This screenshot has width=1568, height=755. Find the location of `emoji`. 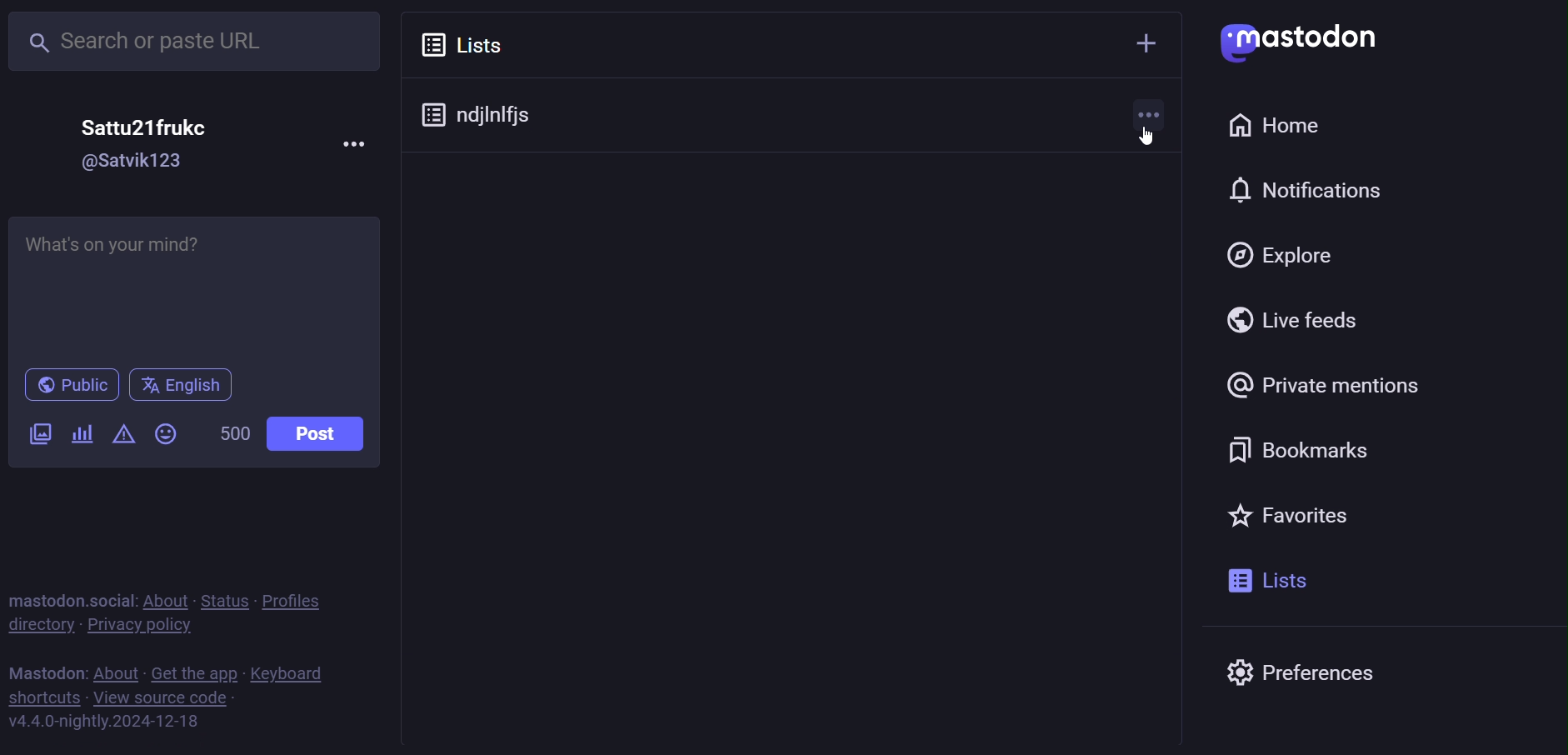

emoji is located at coordinates (165, 433).